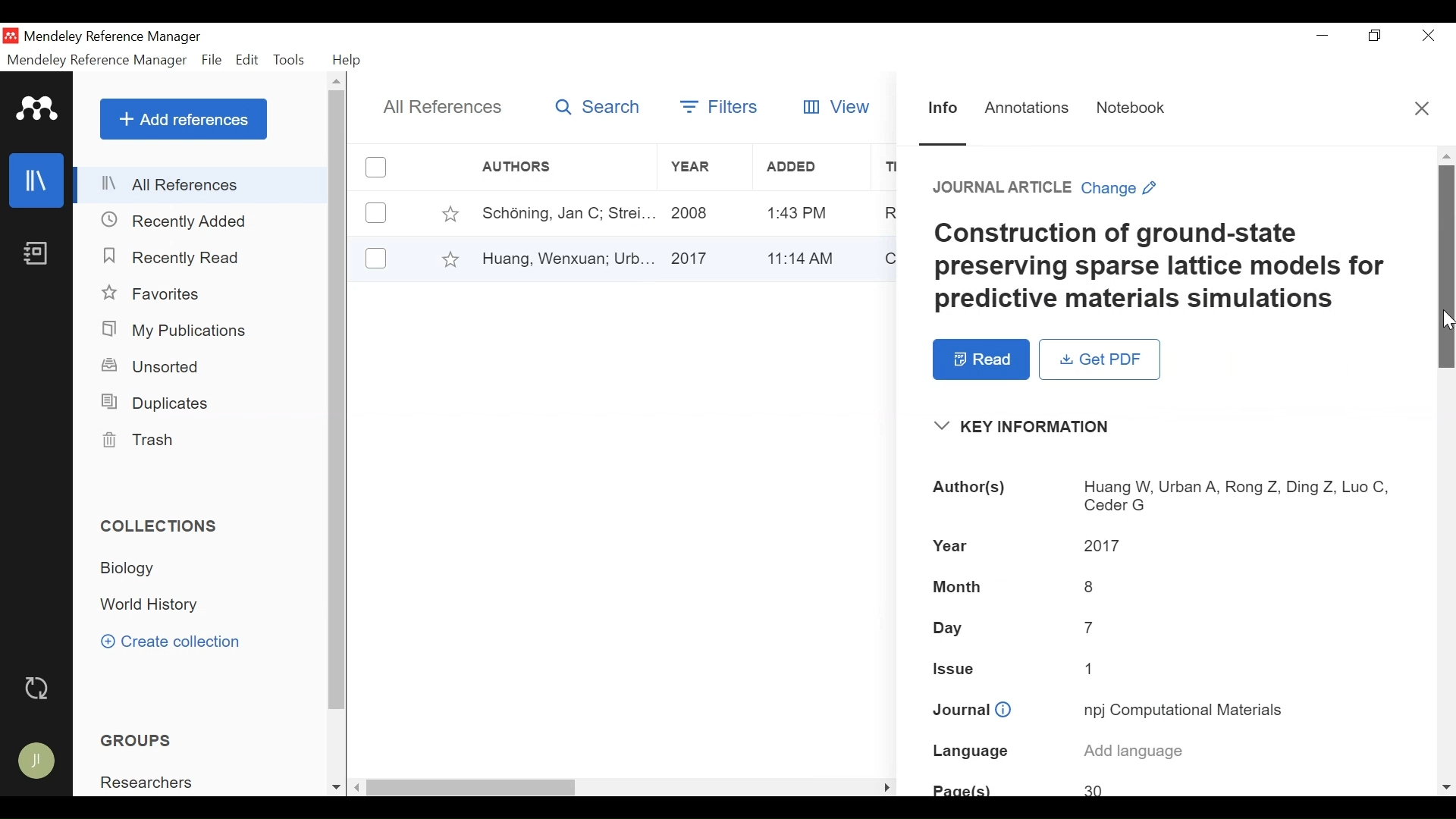  I want to click on Annotations, so click(1028, 110).